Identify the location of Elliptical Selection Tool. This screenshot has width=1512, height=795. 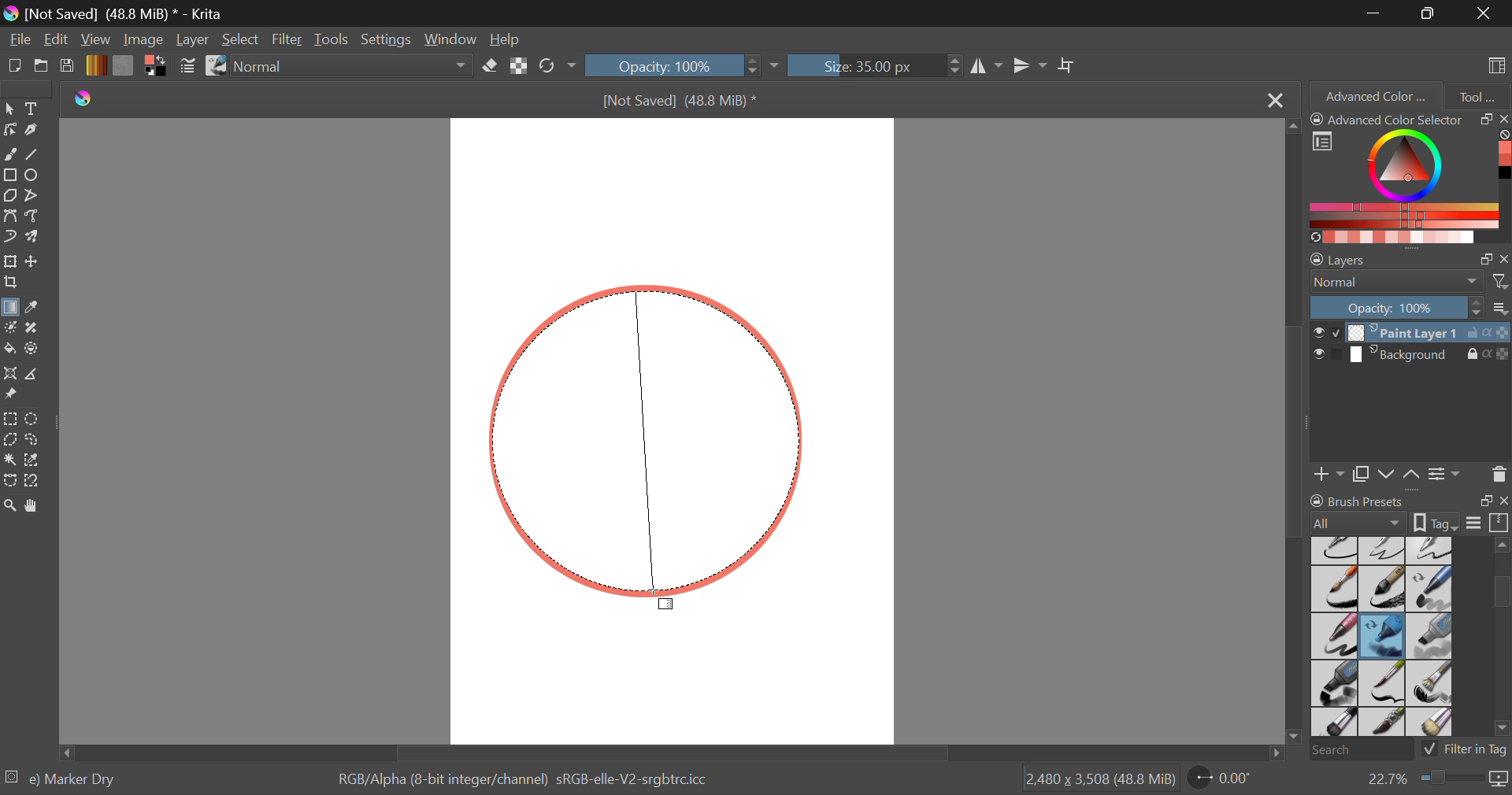
(32, 419).